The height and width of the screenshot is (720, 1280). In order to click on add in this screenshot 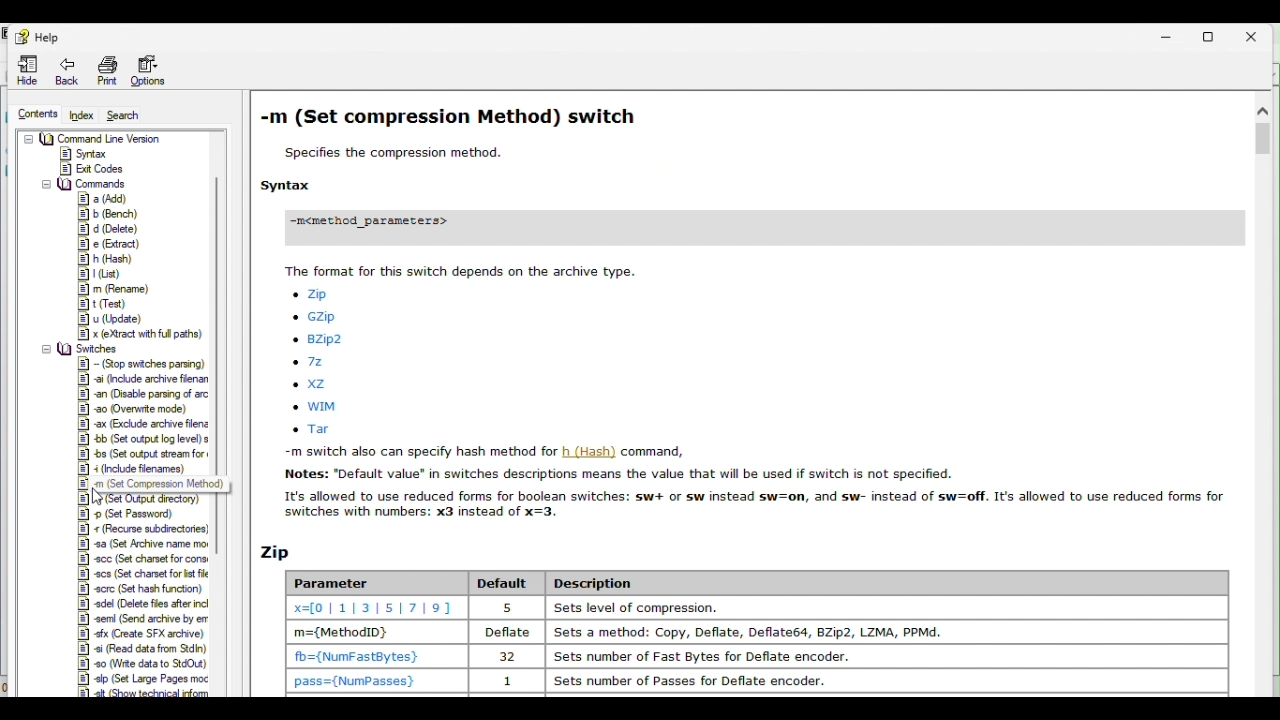, I will do `click(98, 199)`.